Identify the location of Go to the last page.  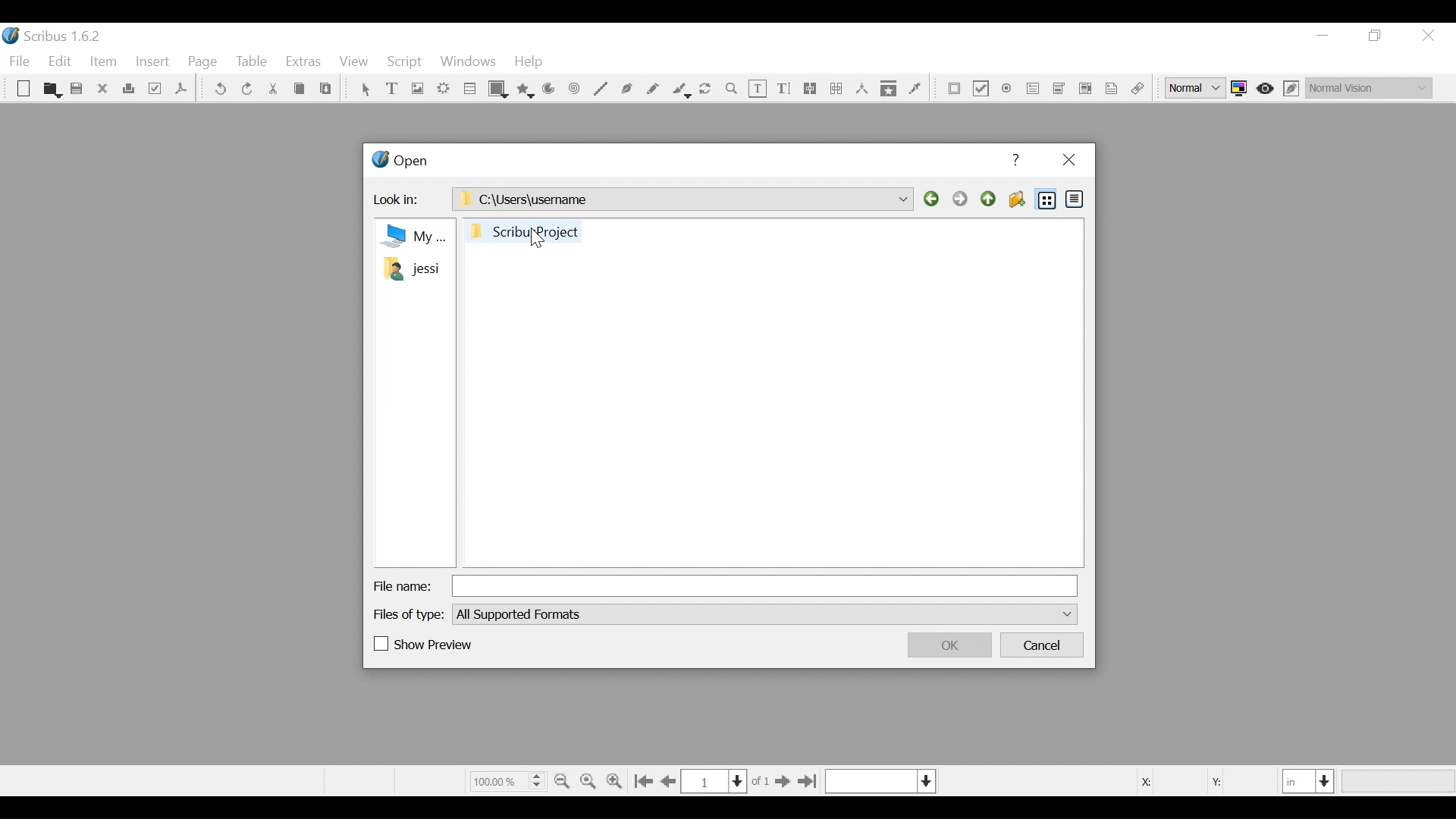
(807, 782).